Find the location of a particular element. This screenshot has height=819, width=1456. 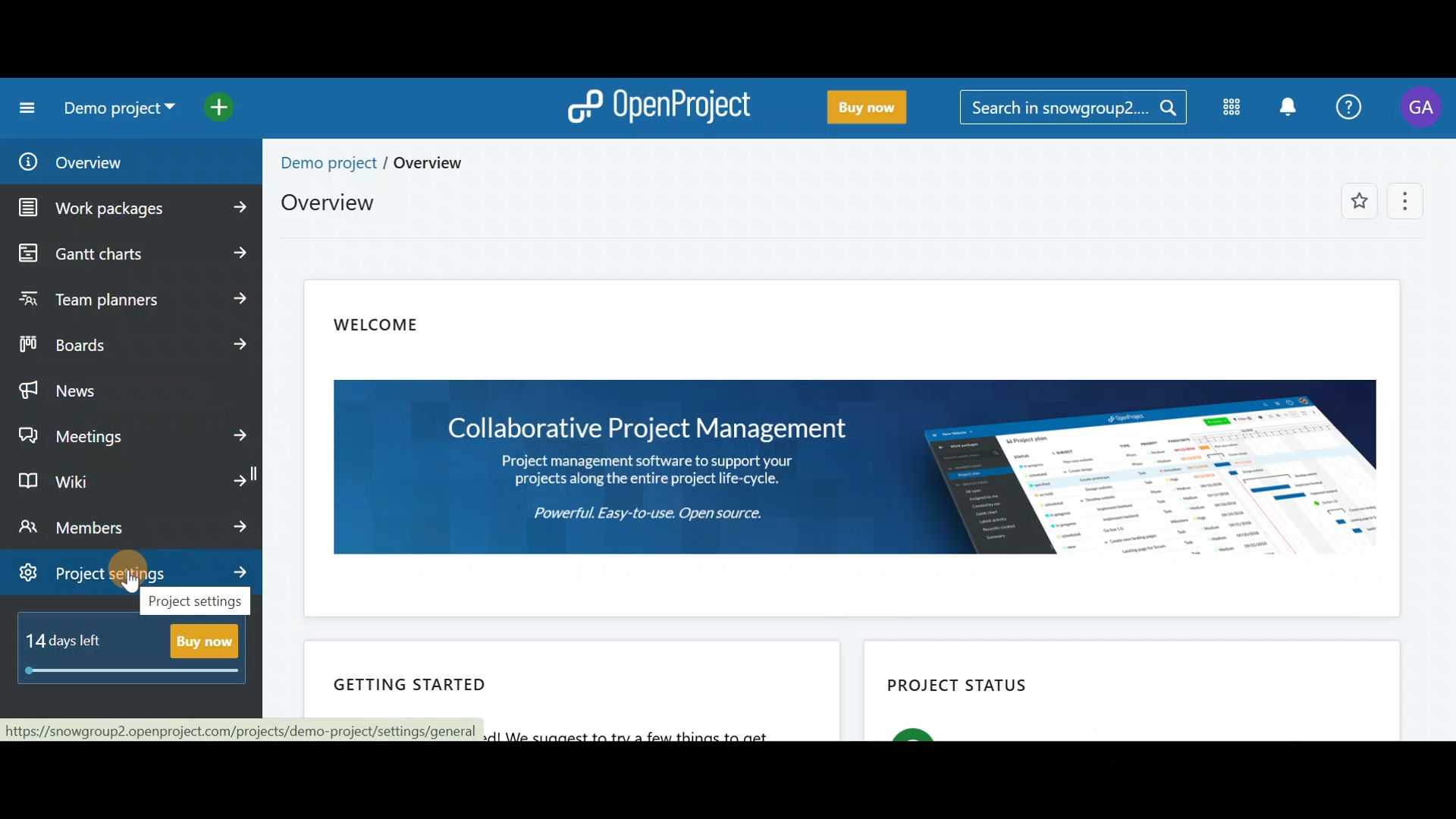

Wiki is located at coordinates (133, 479).